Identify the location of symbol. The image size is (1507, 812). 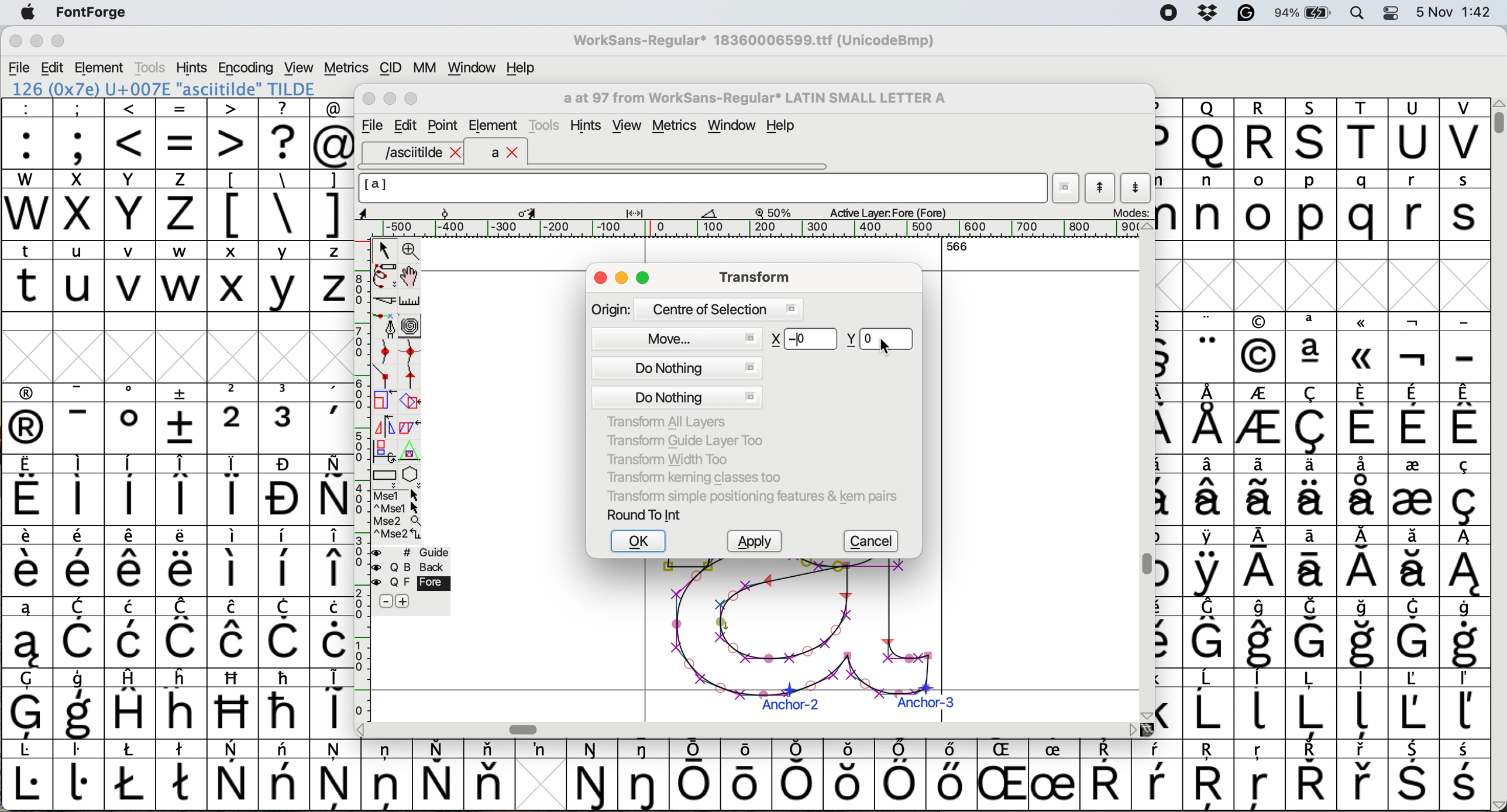
(27, 562).